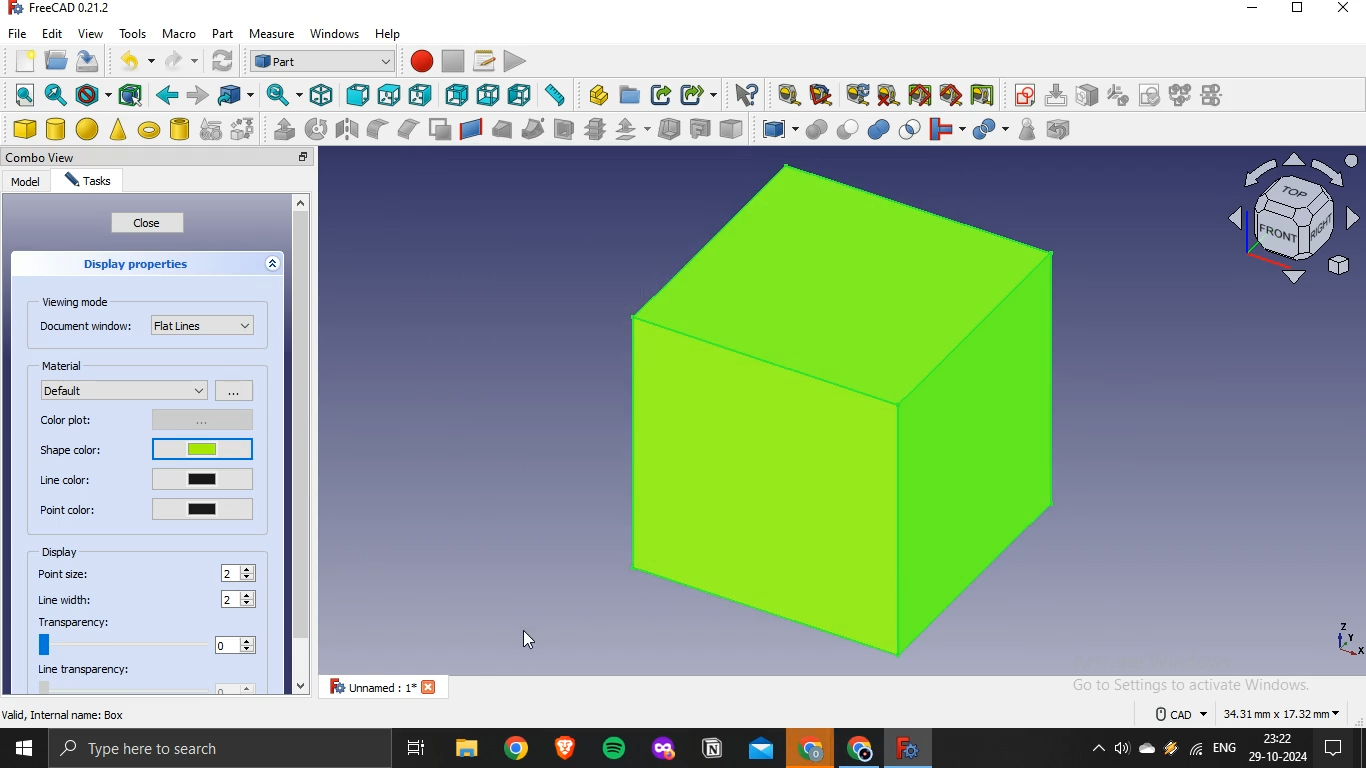 The image size is (1366, 768). What do you see at coordinates (1026, 129) in the screenshot?
I see `check geometry` at bounding box center [1026, 129].